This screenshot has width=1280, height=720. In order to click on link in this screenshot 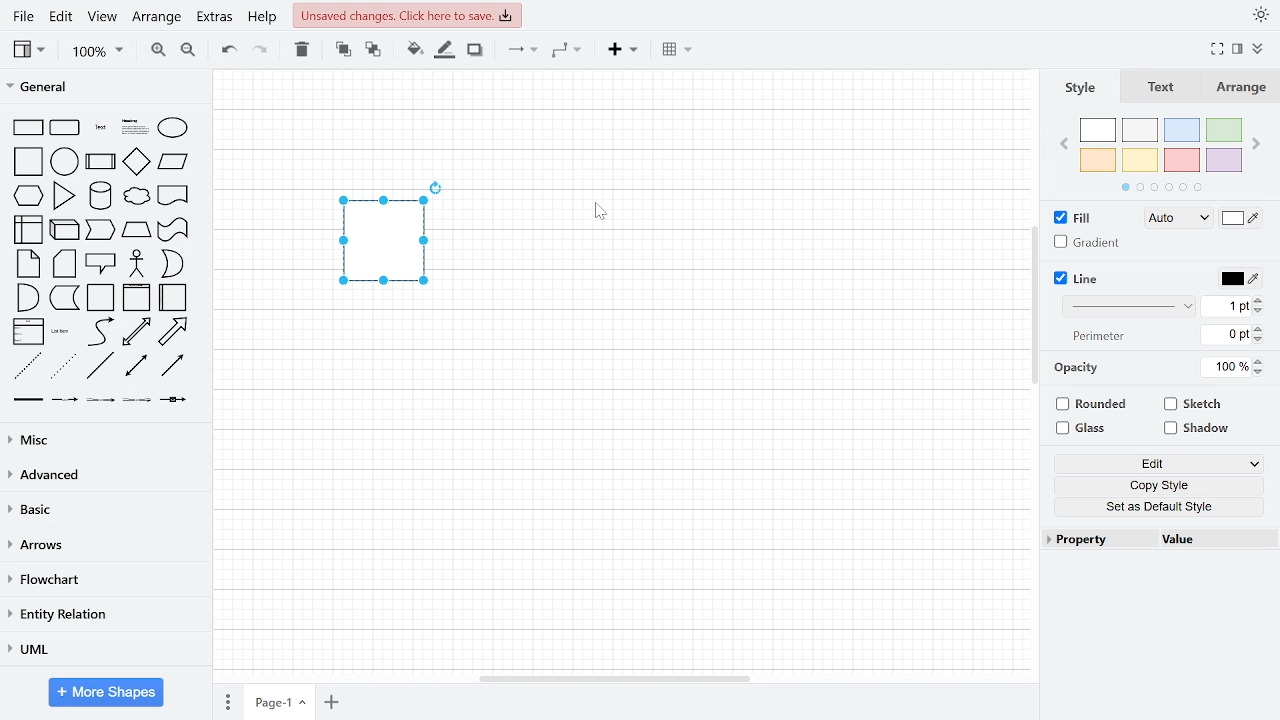, I will do `click(26, 400)`.